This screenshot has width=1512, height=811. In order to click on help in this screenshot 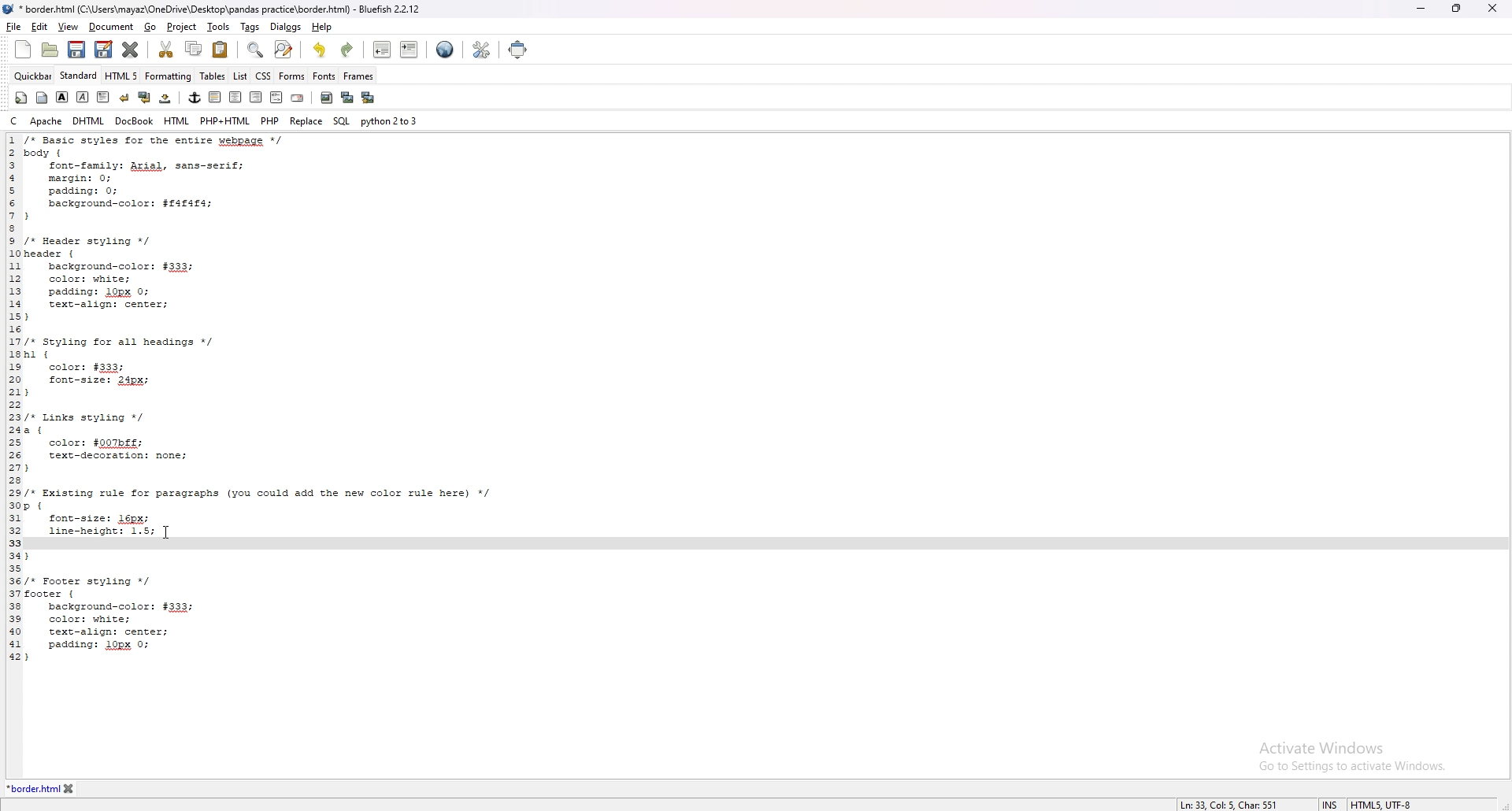, I will do `click(321, 27)`.